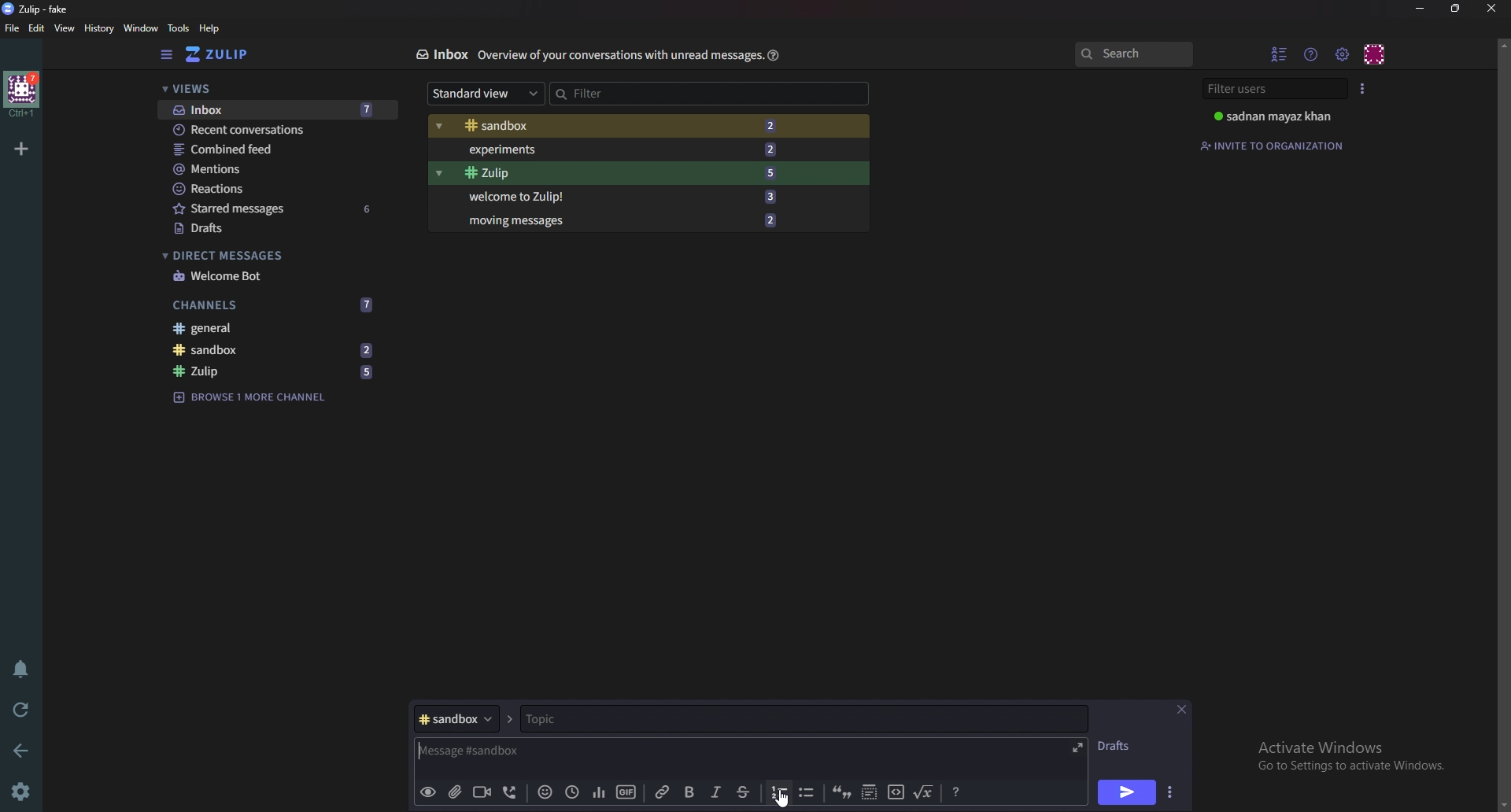  Describe the element at coordinates (1182, 709) in the screenshot. I see `close message` at that location.